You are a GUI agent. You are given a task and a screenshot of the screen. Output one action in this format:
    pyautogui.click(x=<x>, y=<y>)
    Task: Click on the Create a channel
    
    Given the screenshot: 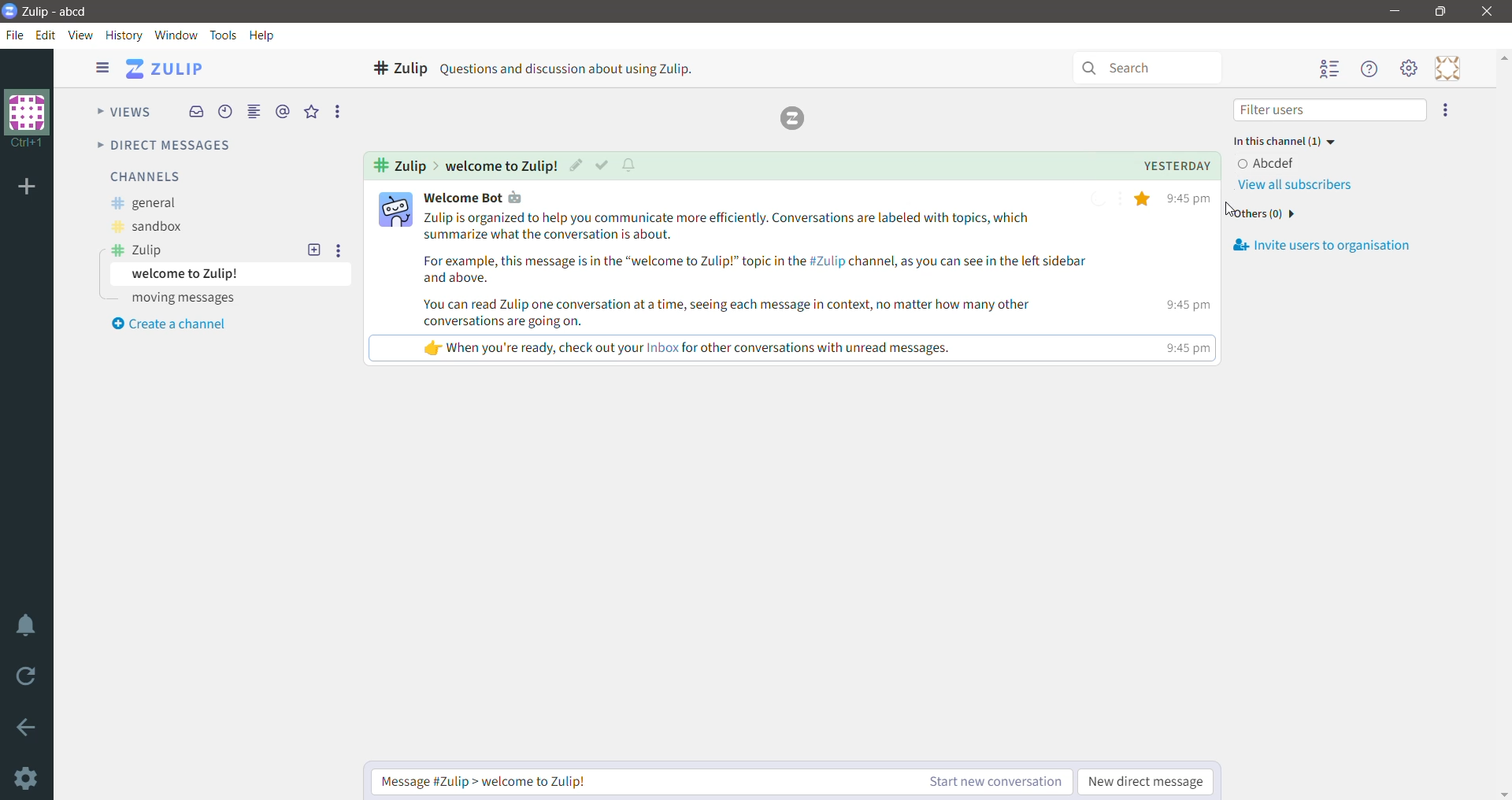 What is the action you would take?
    pyautogui.click(x=169, y=326)
    